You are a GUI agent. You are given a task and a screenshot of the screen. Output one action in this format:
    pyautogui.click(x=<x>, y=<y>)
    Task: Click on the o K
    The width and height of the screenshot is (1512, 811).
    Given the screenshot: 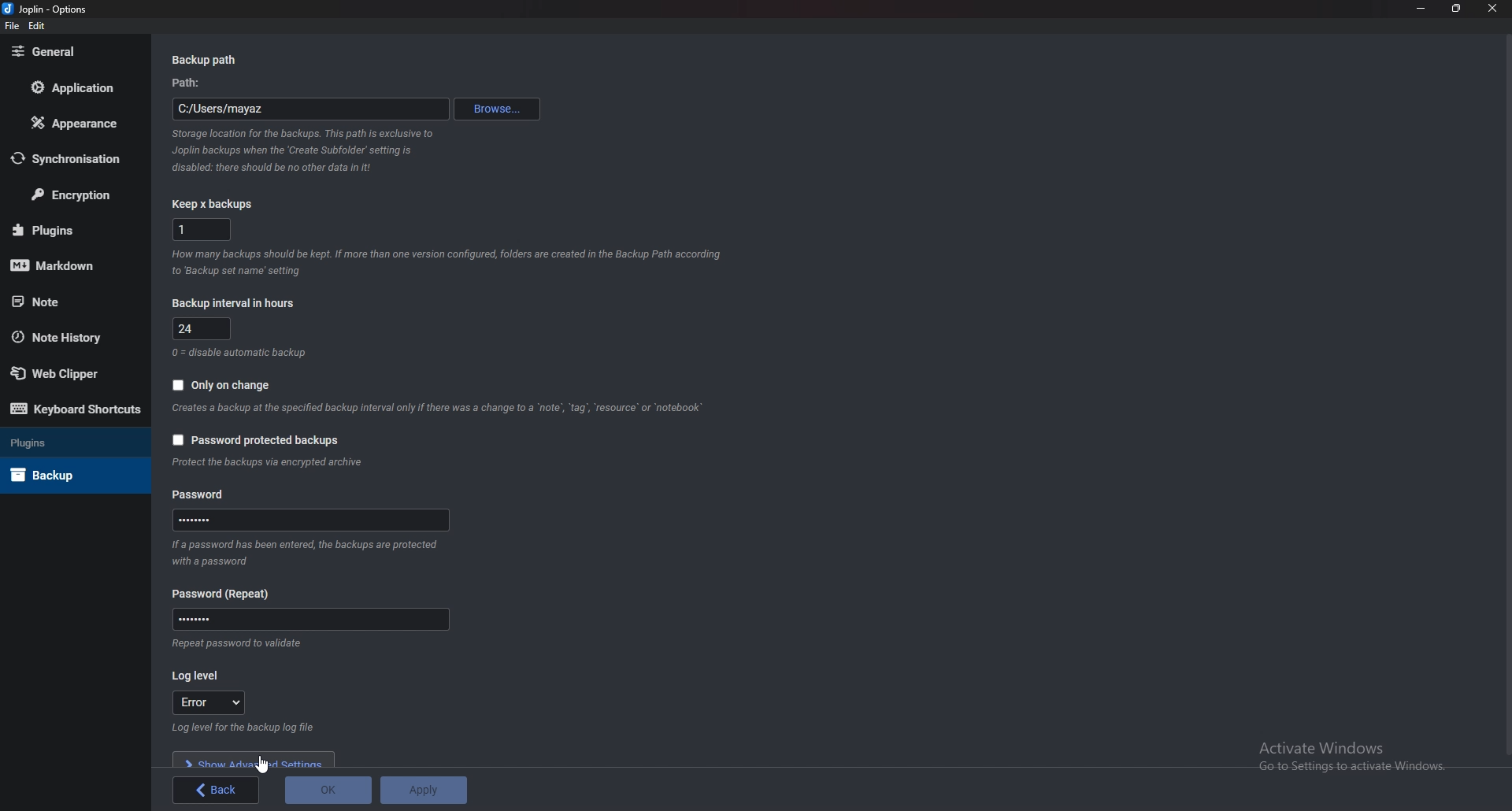 What is the action you would take?
    pyautogui.click(x=330, y=791)
    